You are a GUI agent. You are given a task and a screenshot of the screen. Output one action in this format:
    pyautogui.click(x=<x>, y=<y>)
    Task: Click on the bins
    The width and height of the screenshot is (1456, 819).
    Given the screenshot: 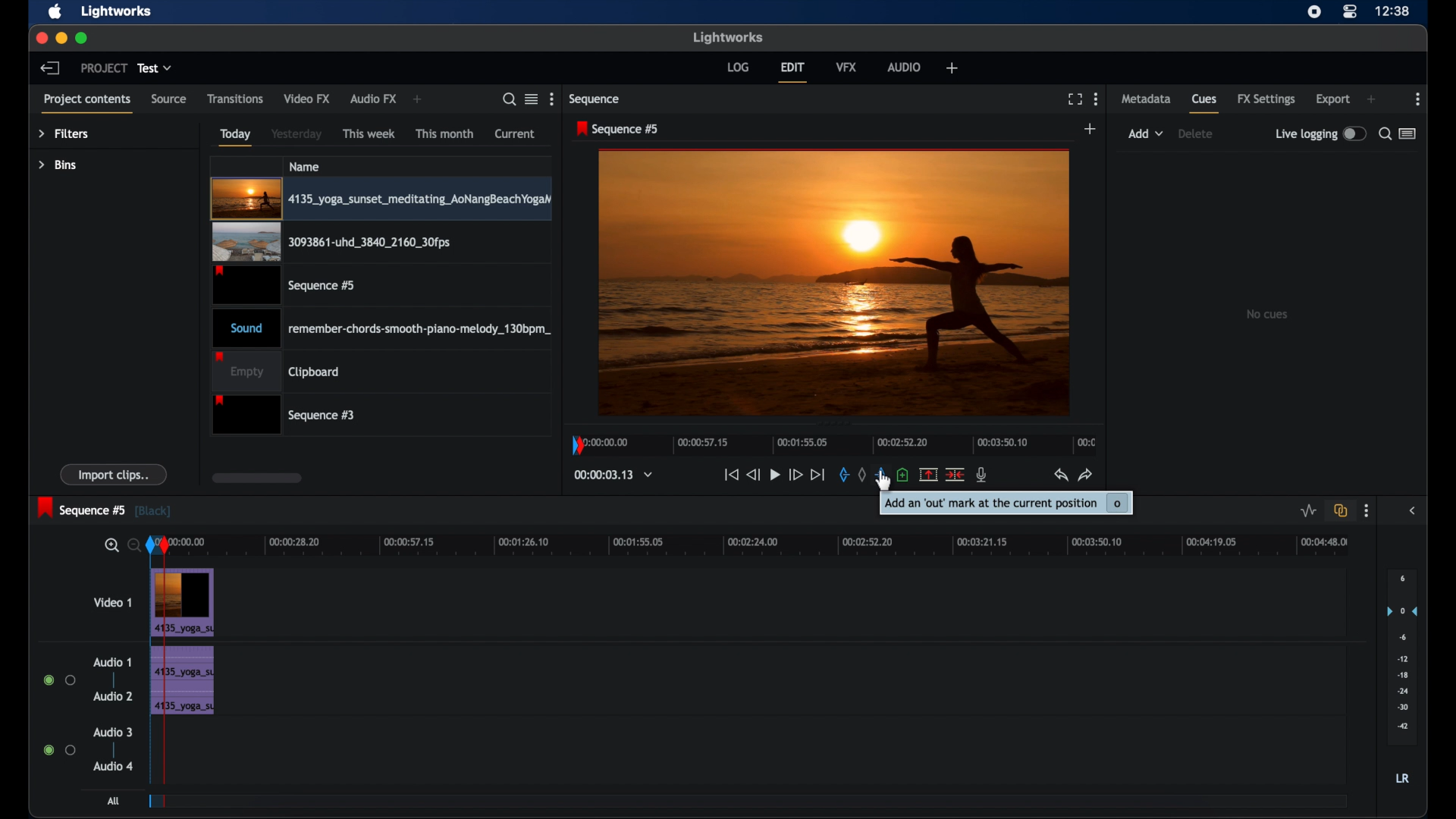 What is the action you would take?
    pyautogui.click(x=58, y=165)
    